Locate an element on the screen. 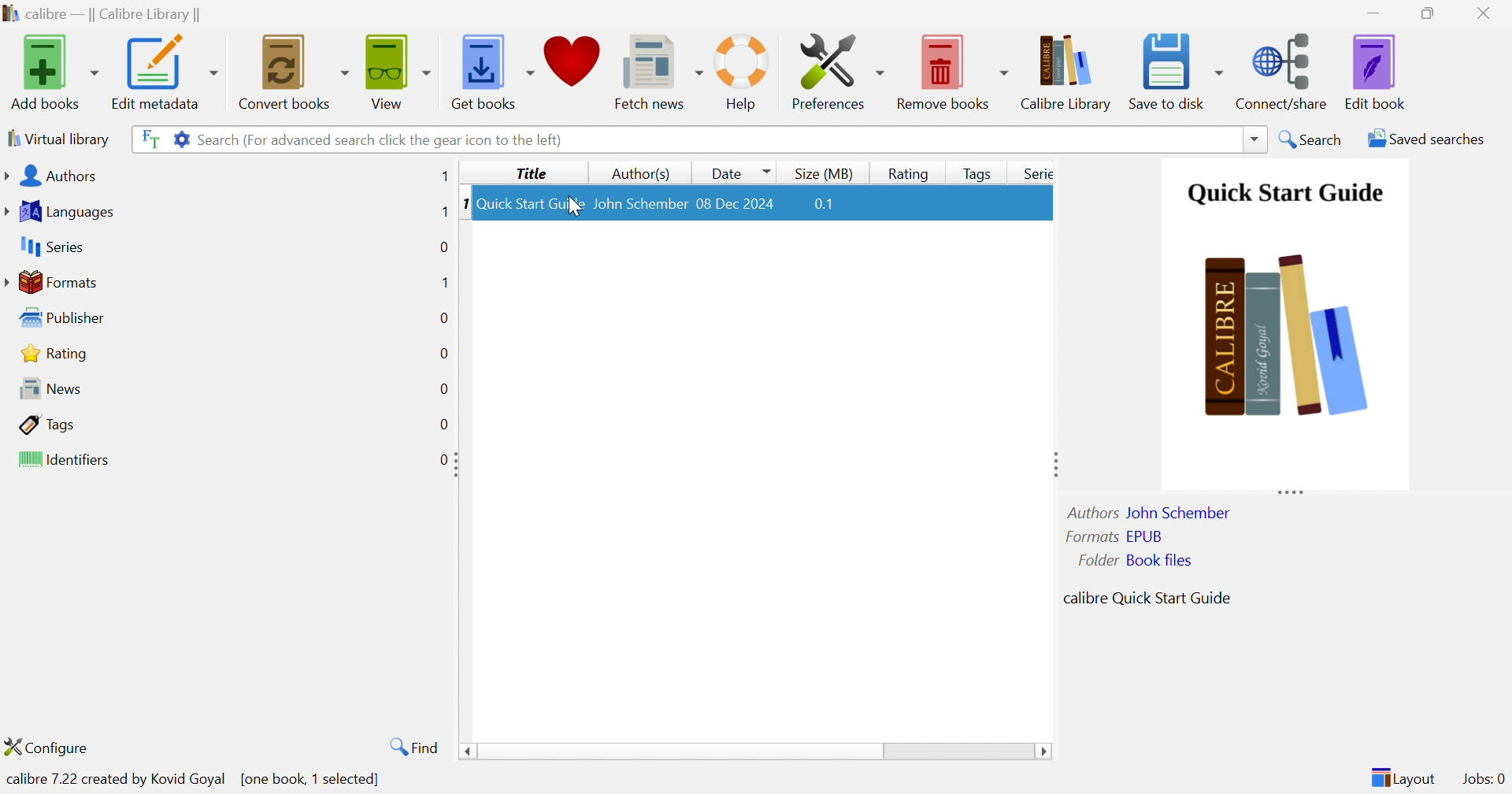 The width and height of the screenshot is (1512, 794). 08 Dec 2024 is located at coordinates (737, 201).